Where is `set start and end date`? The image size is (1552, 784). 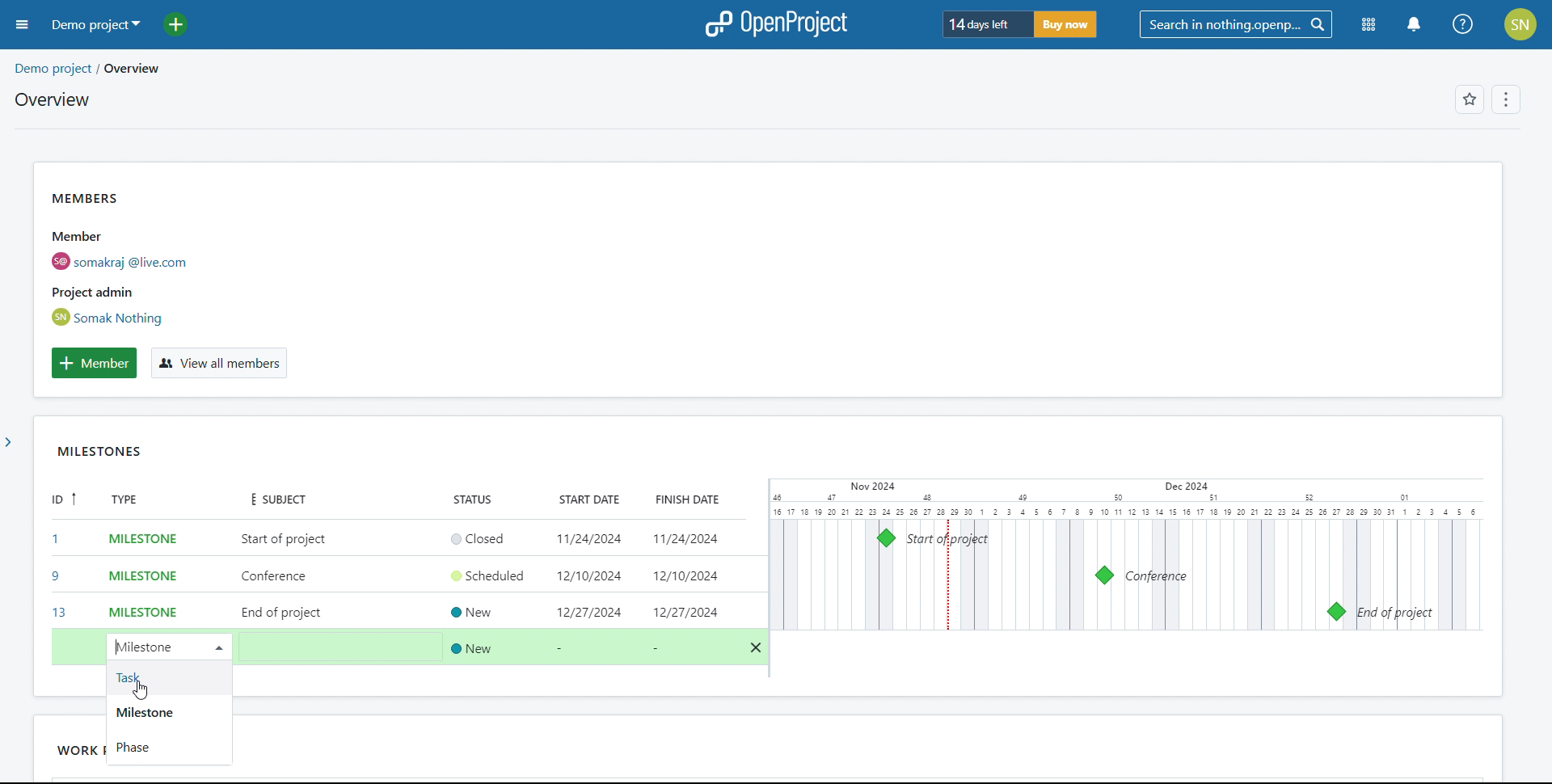 set start and end date is located at coordinates (661, 575).